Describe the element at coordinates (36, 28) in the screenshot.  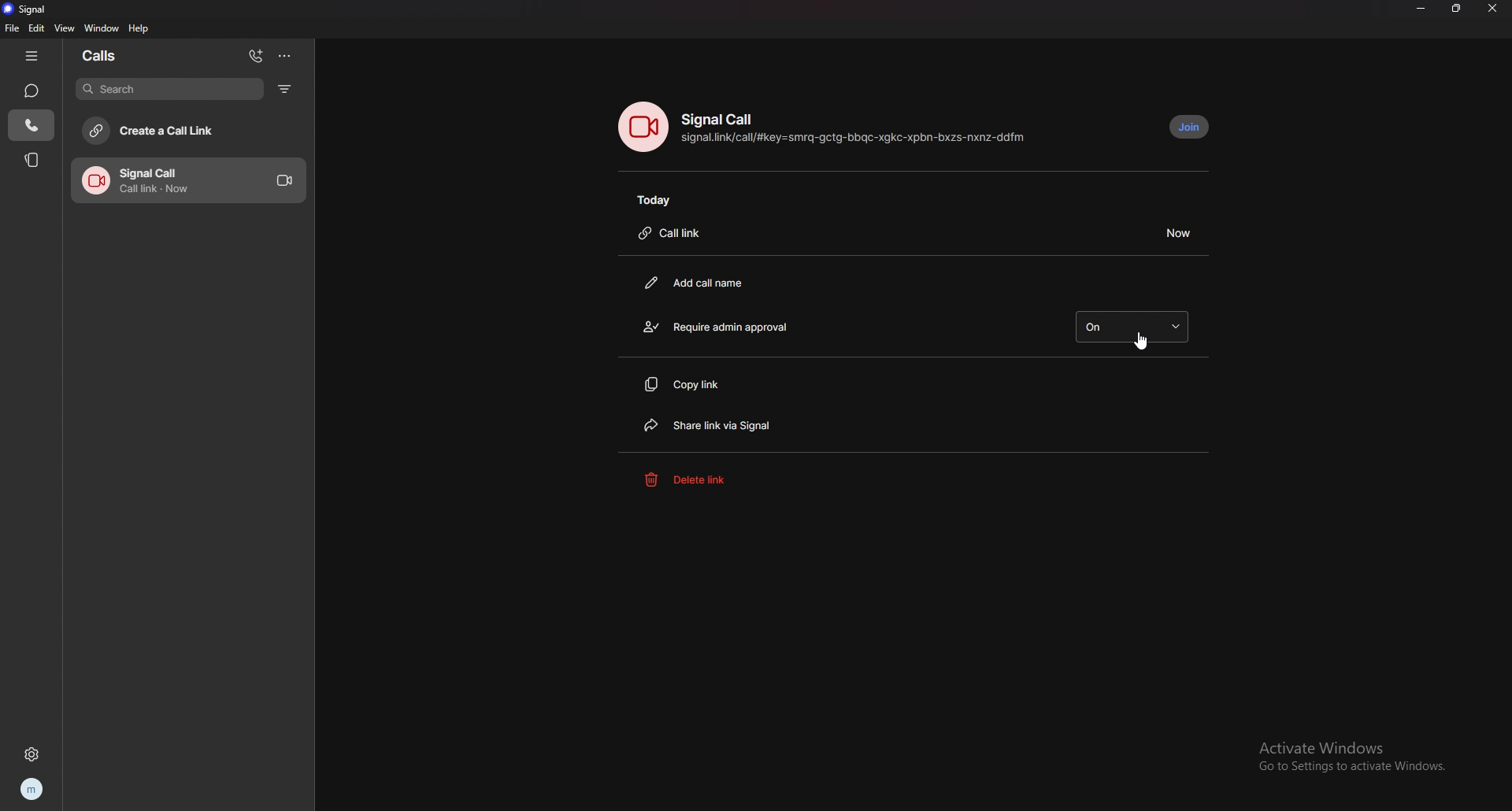
I see `edit` at that location.